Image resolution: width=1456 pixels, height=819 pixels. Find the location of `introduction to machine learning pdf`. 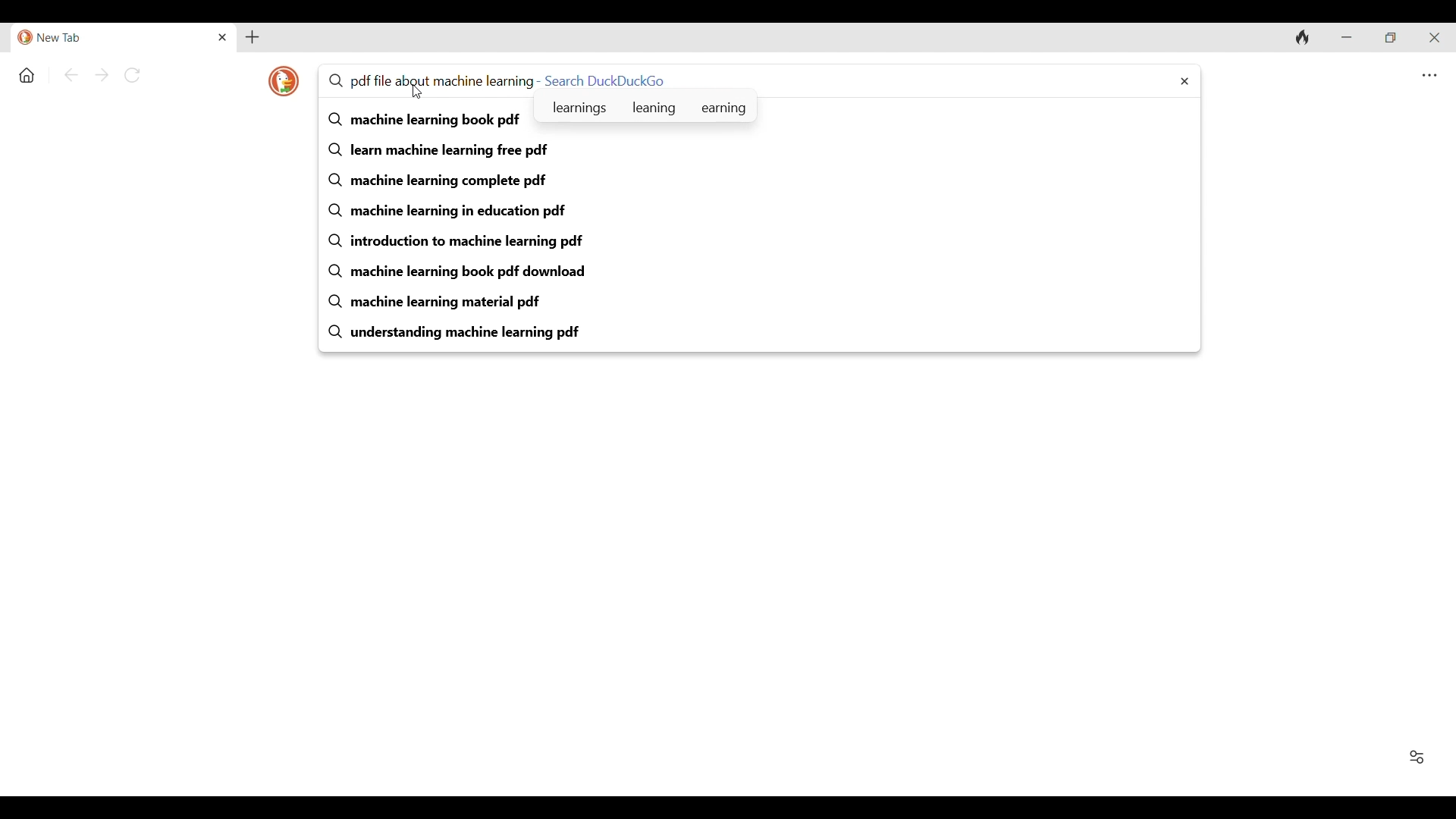

introduction to machine learning pdf is located at coordinates (761, 241).